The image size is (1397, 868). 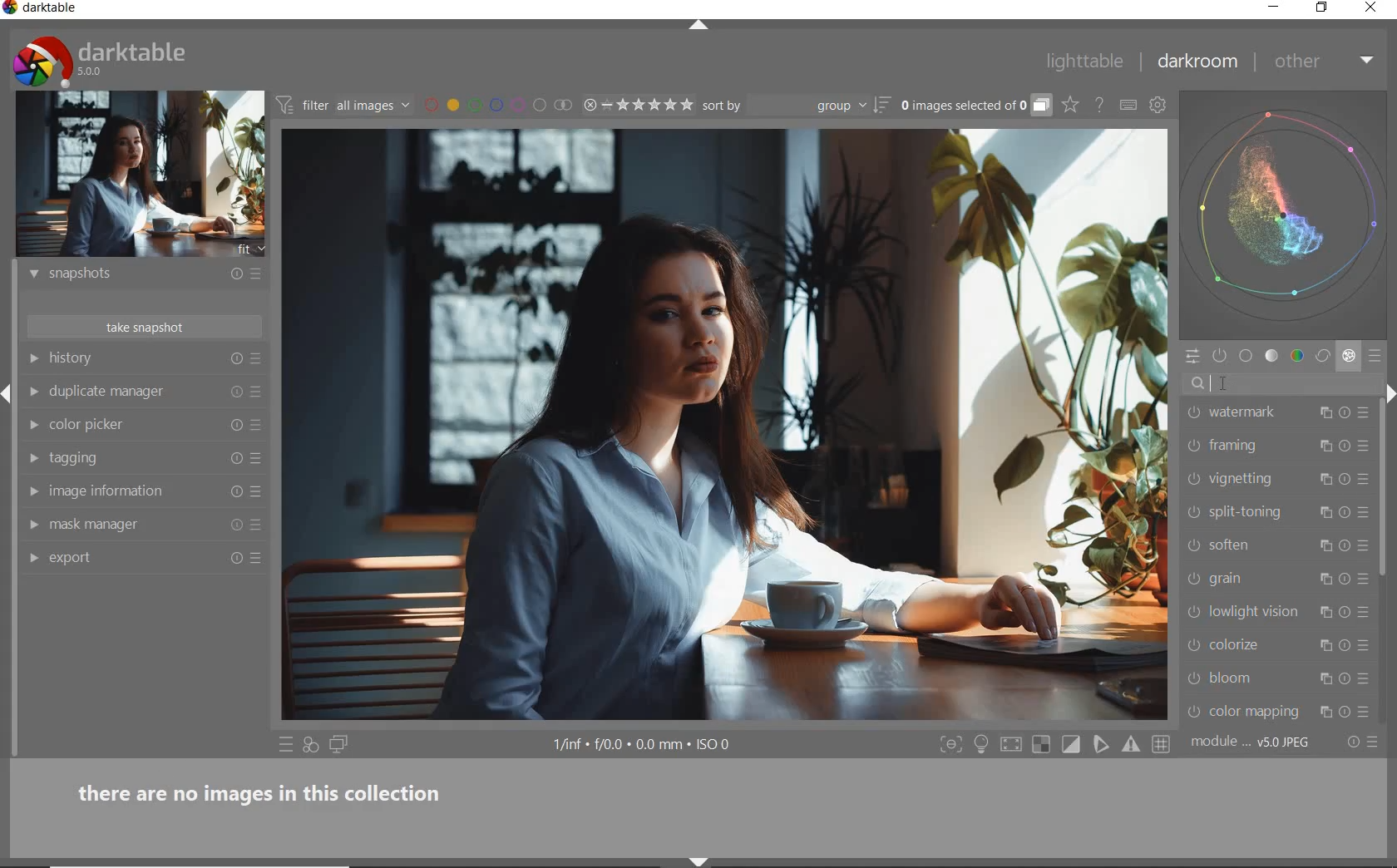 I want to click on mask manager, so click(x=121, y=525).